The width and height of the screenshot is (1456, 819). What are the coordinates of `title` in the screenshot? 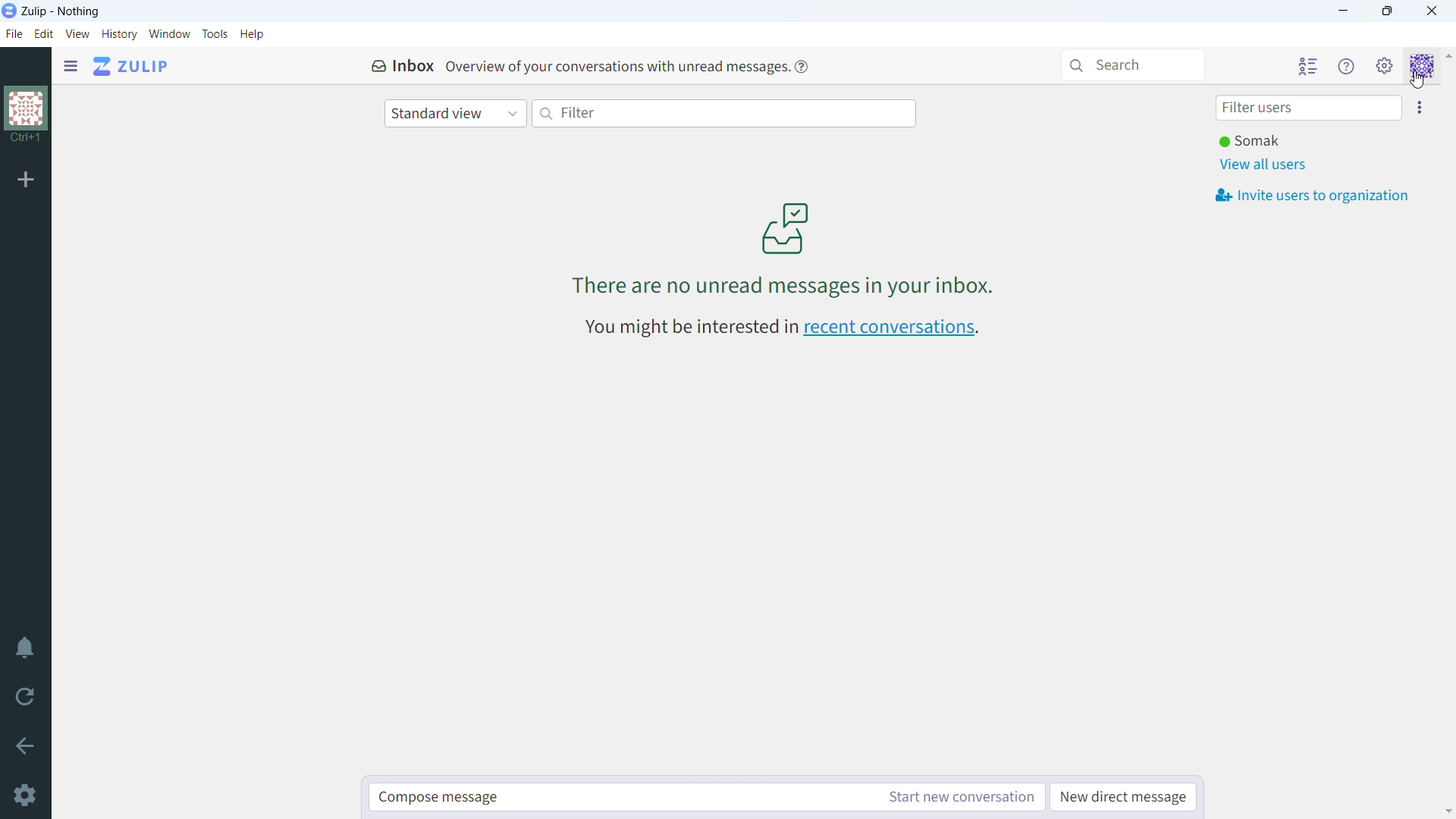 It's located at (61, 11).